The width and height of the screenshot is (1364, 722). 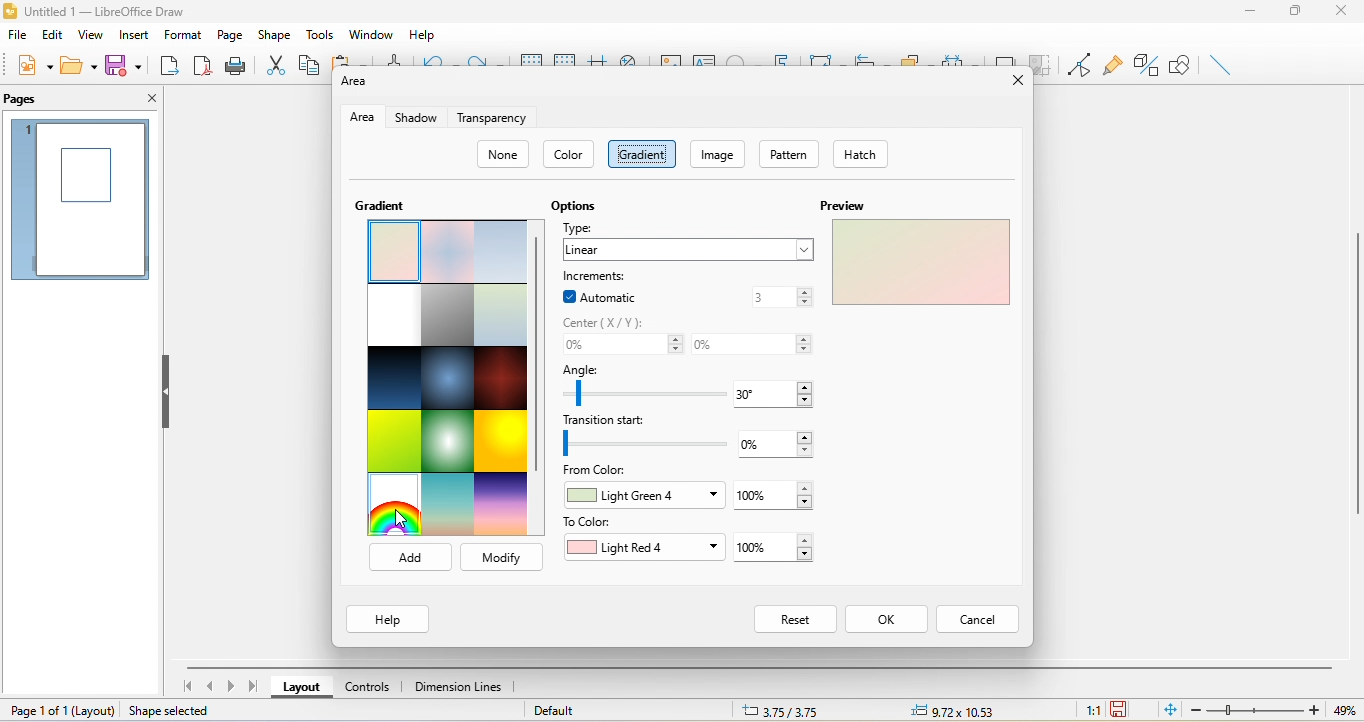 I want to click on minimize, so click(x=1250, y=13).